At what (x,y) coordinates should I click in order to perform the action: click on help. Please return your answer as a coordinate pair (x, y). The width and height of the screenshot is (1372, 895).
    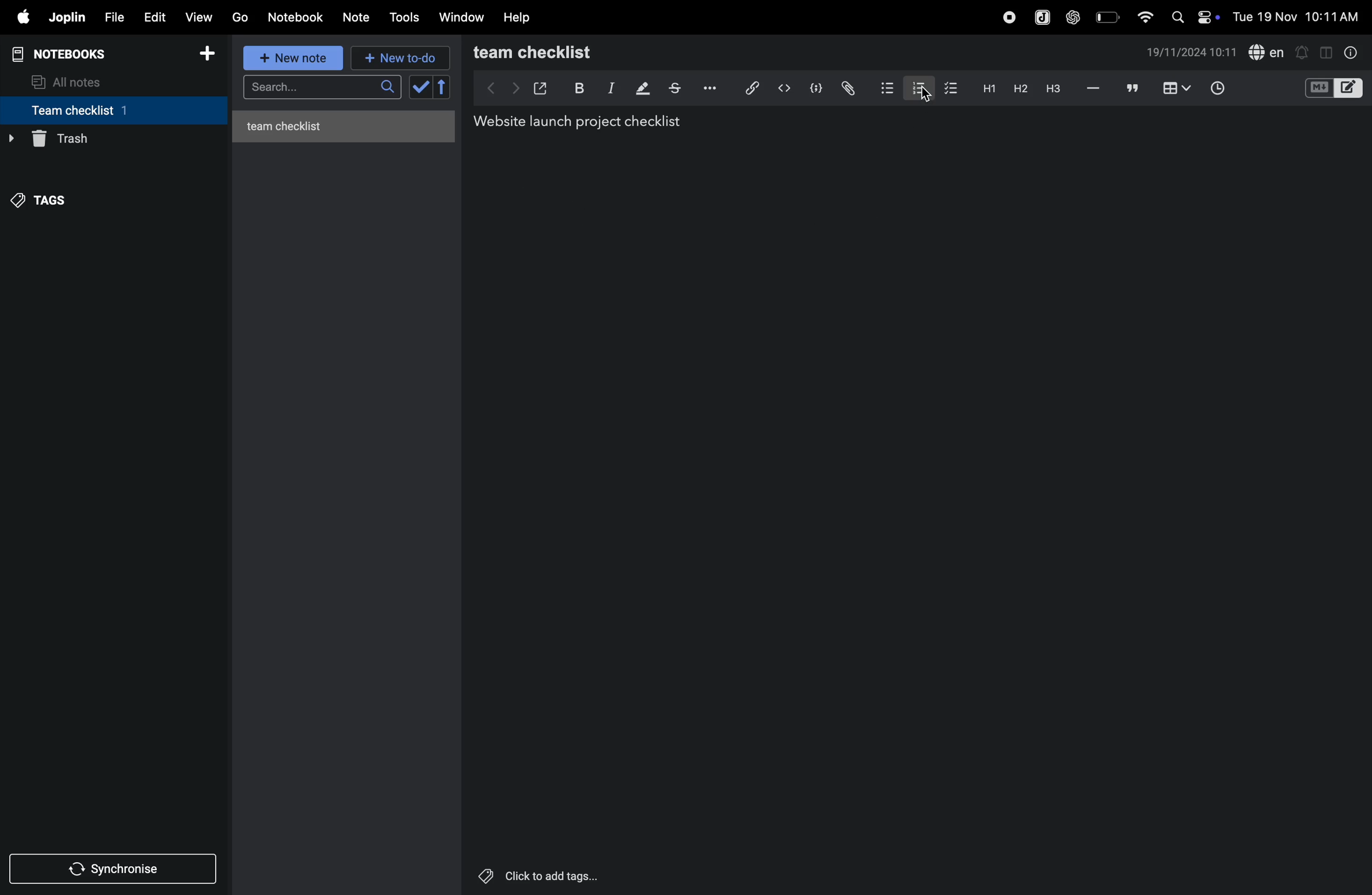
    Looking at the image, I should click on (520, 17).